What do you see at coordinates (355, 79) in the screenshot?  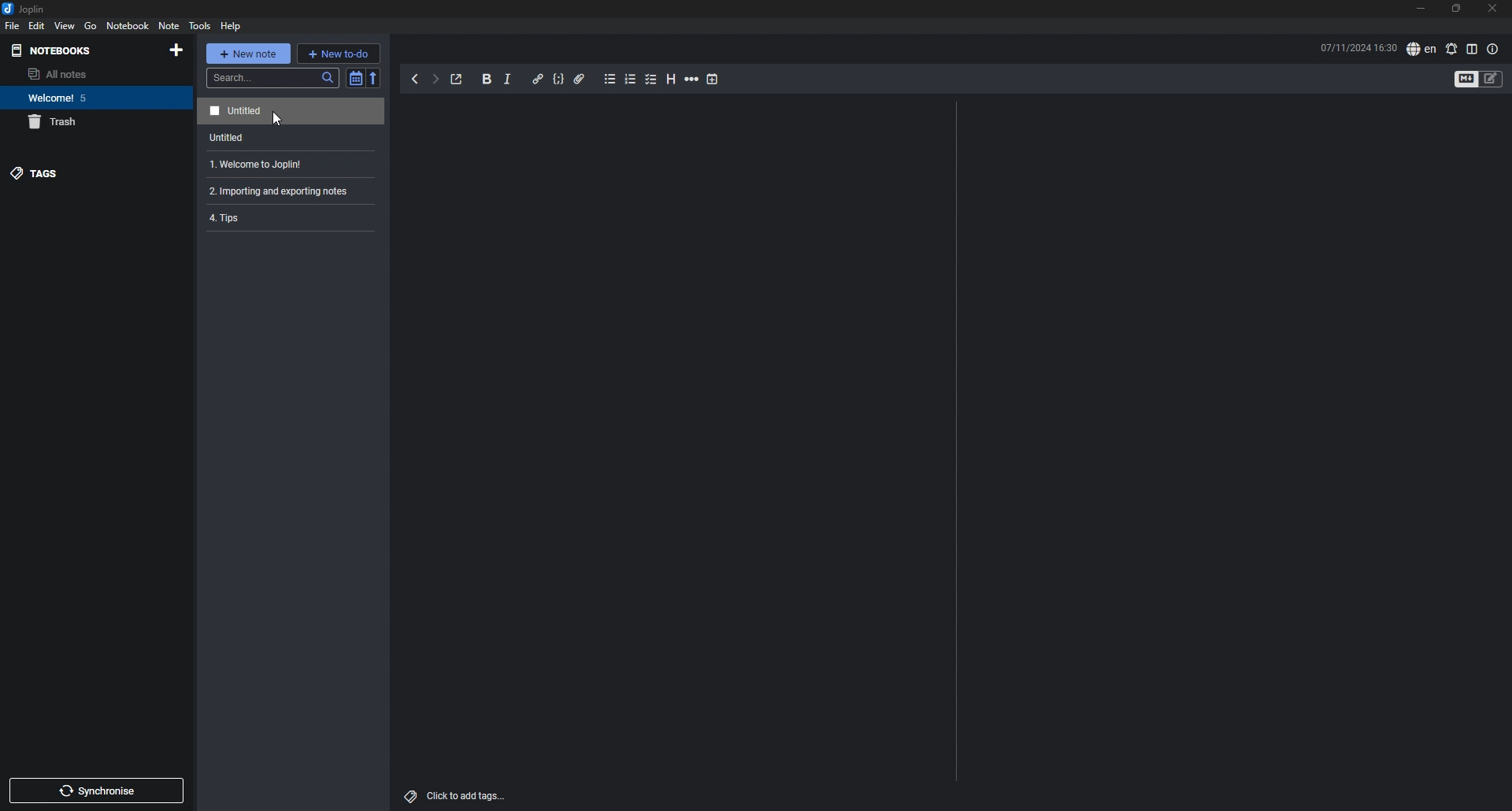 I see `toggle sort order` at bounding box center [355, 79].